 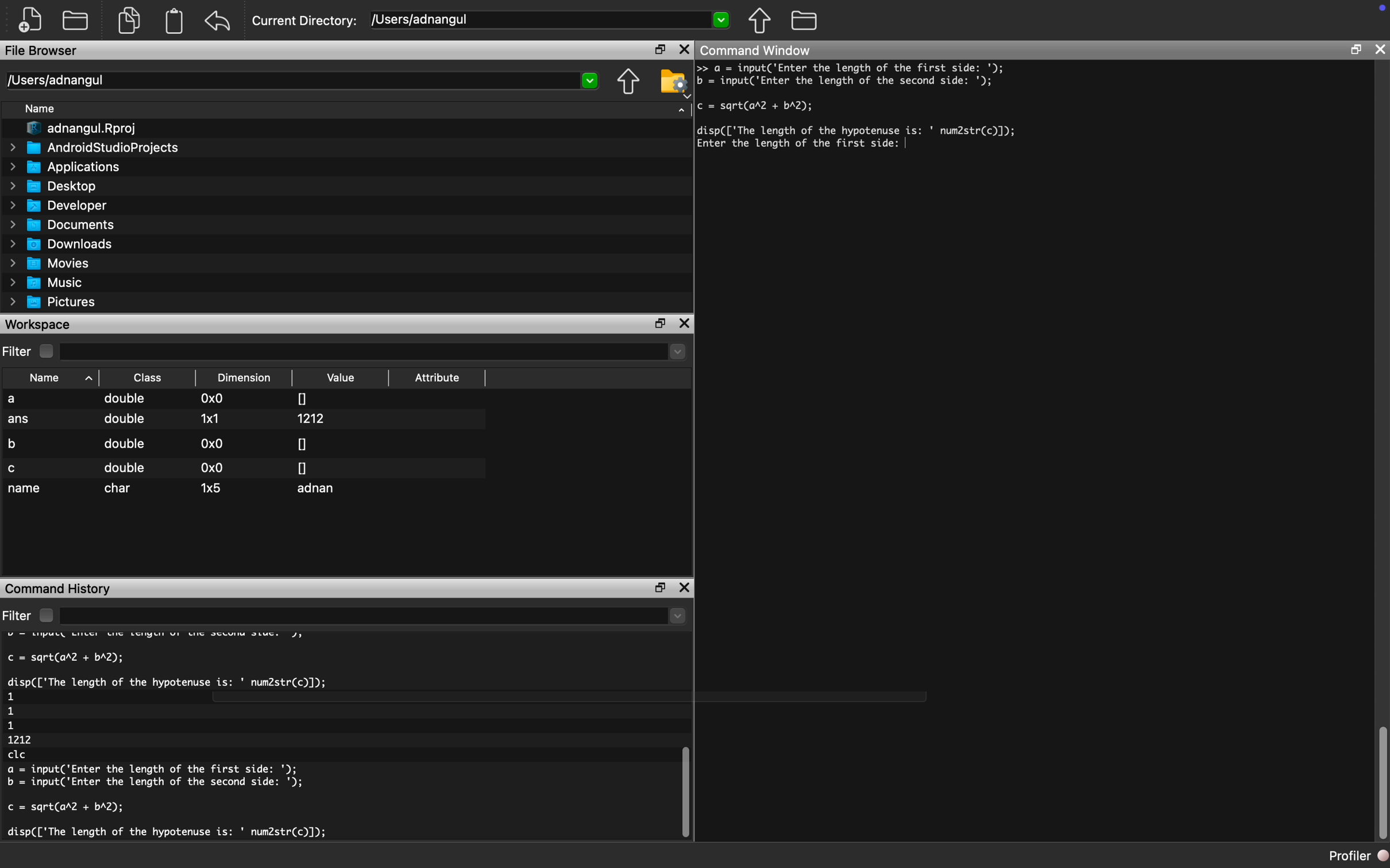 I want to click on 0, so click(x=302, y=443).